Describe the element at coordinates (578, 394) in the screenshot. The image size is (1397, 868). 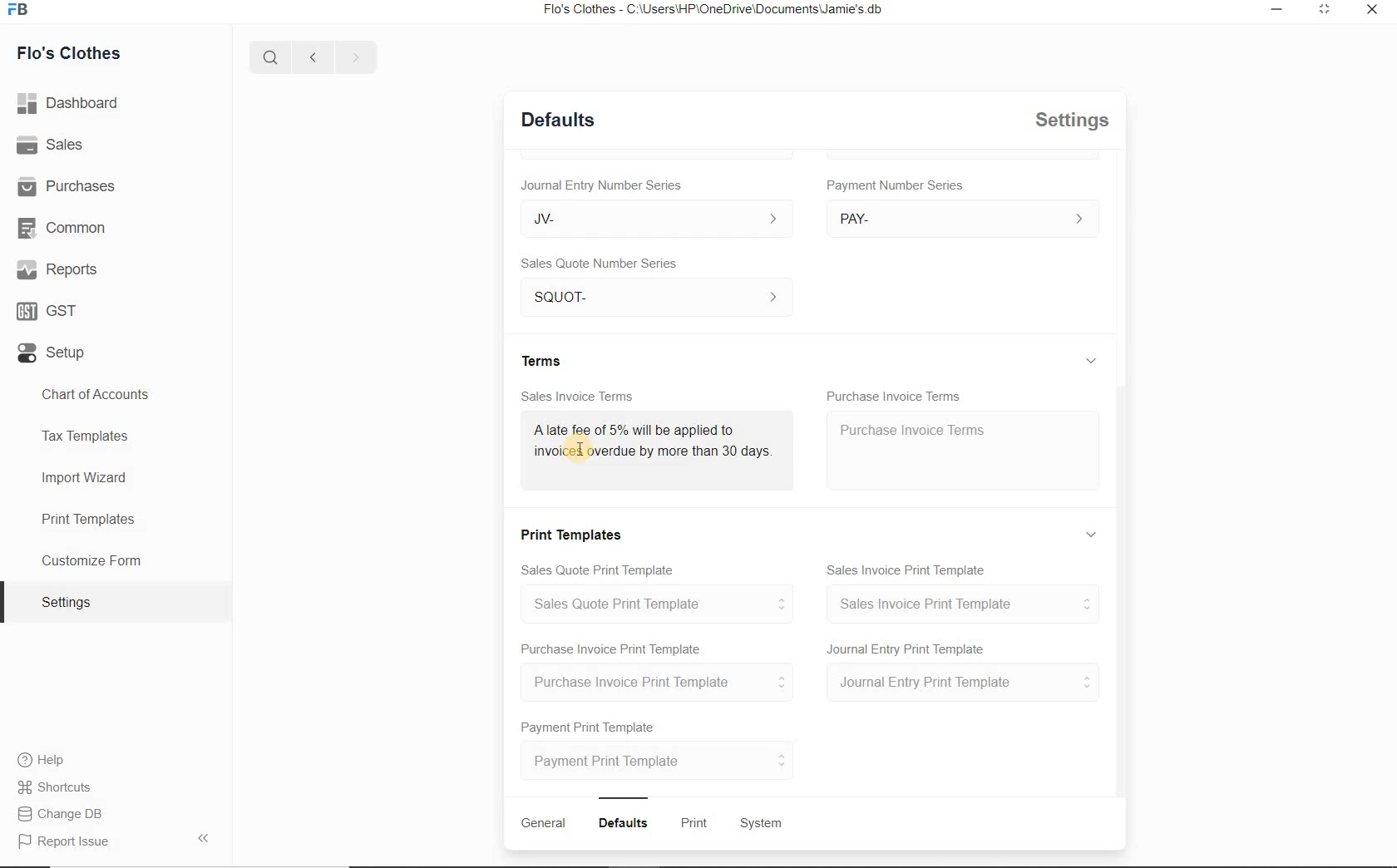
I see `Sales Invoice Terms` at that location.